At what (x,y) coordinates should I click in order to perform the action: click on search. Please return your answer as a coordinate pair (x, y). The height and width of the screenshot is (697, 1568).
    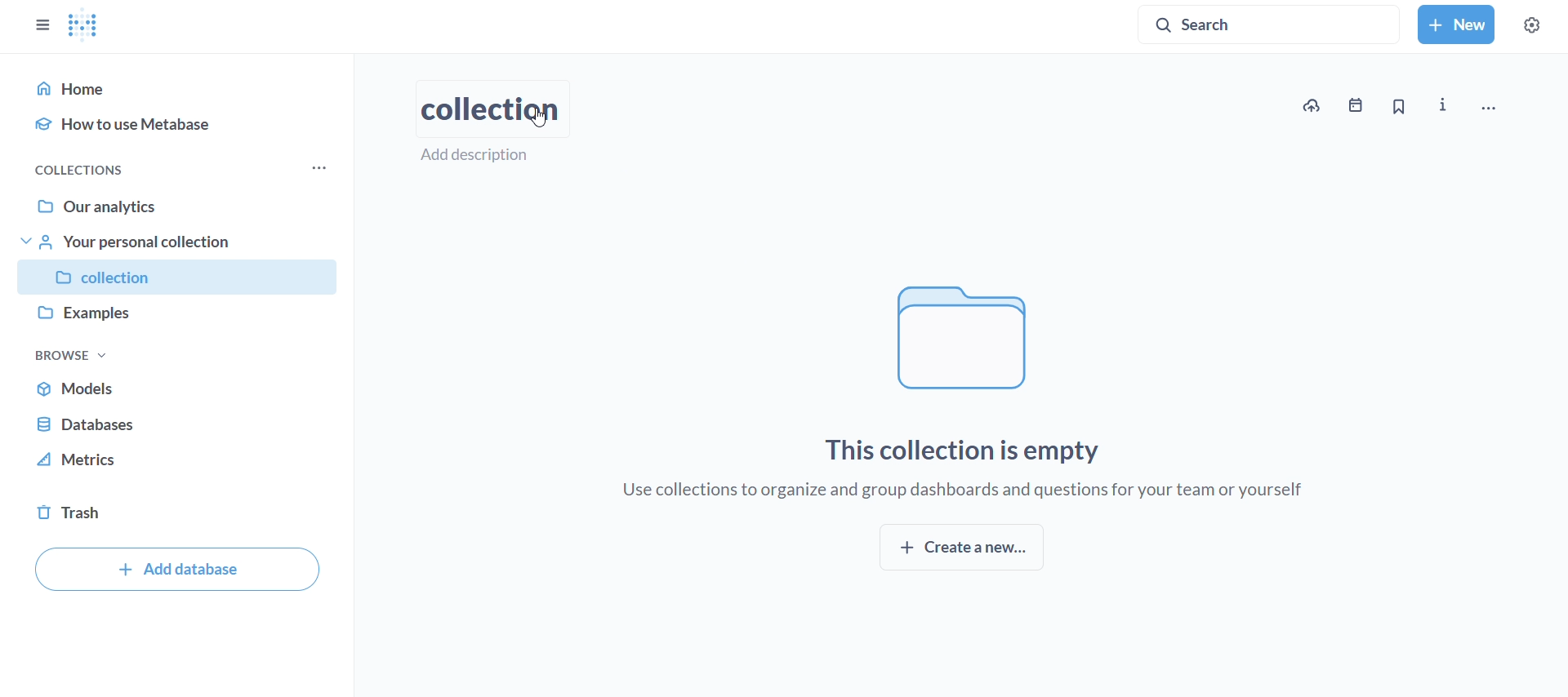
    Looking at the image, I should click on (1270, 22).